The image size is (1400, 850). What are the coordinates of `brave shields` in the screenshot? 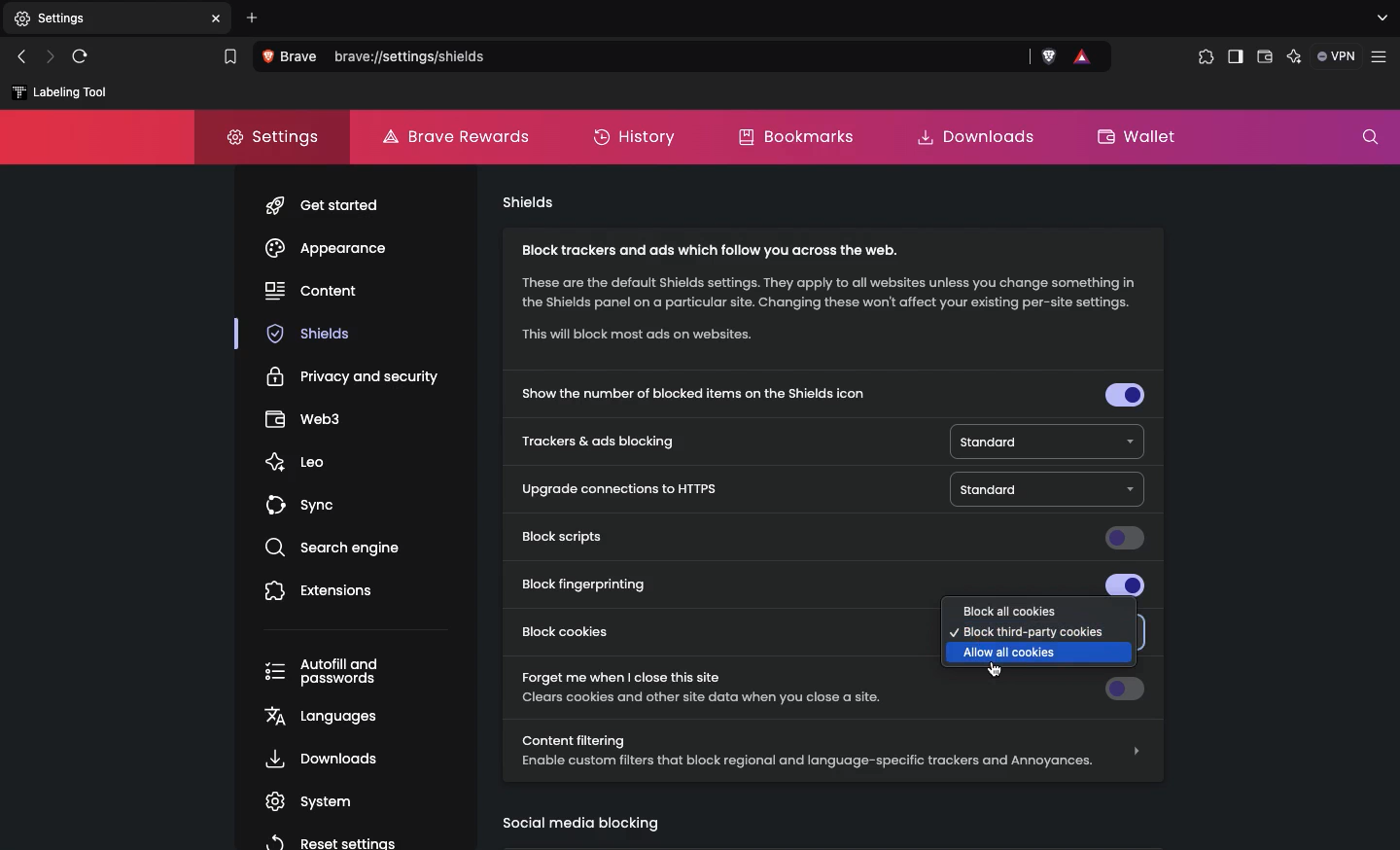 It's located at (1045, 55).